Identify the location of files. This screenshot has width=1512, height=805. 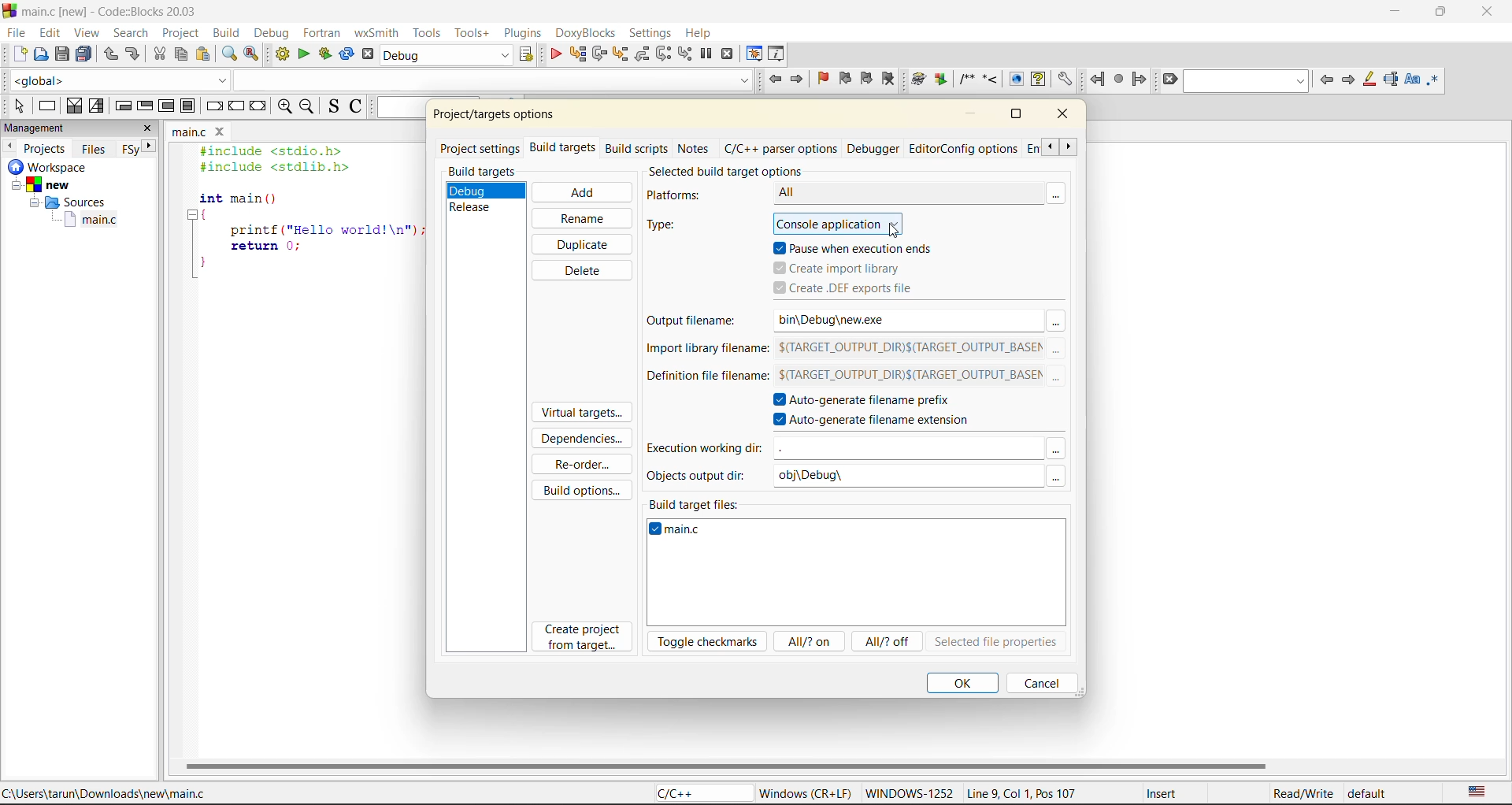
(94, 148).